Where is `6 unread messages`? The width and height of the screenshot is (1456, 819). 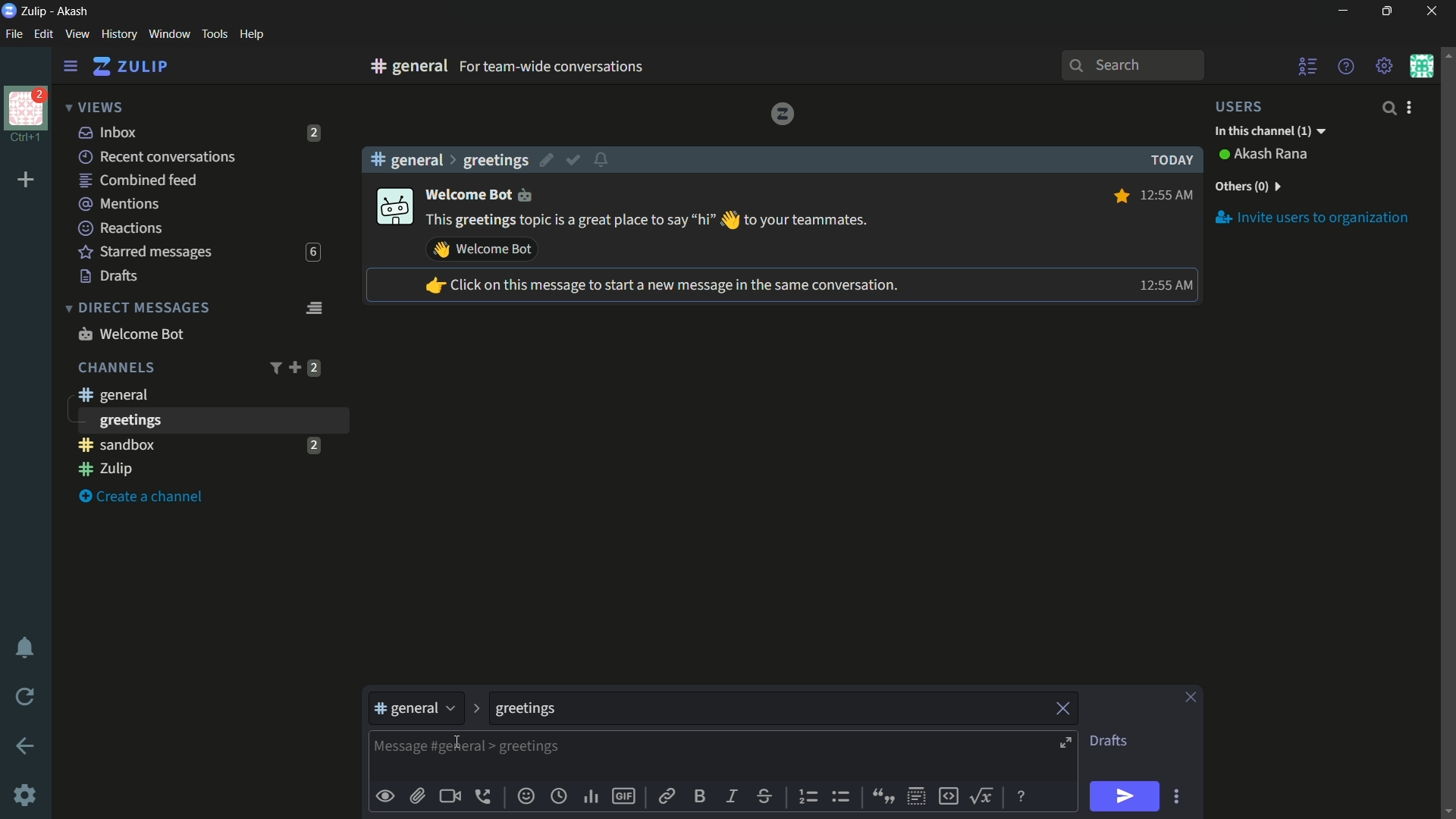
6 unread messages is located at coordinates (312, 253).